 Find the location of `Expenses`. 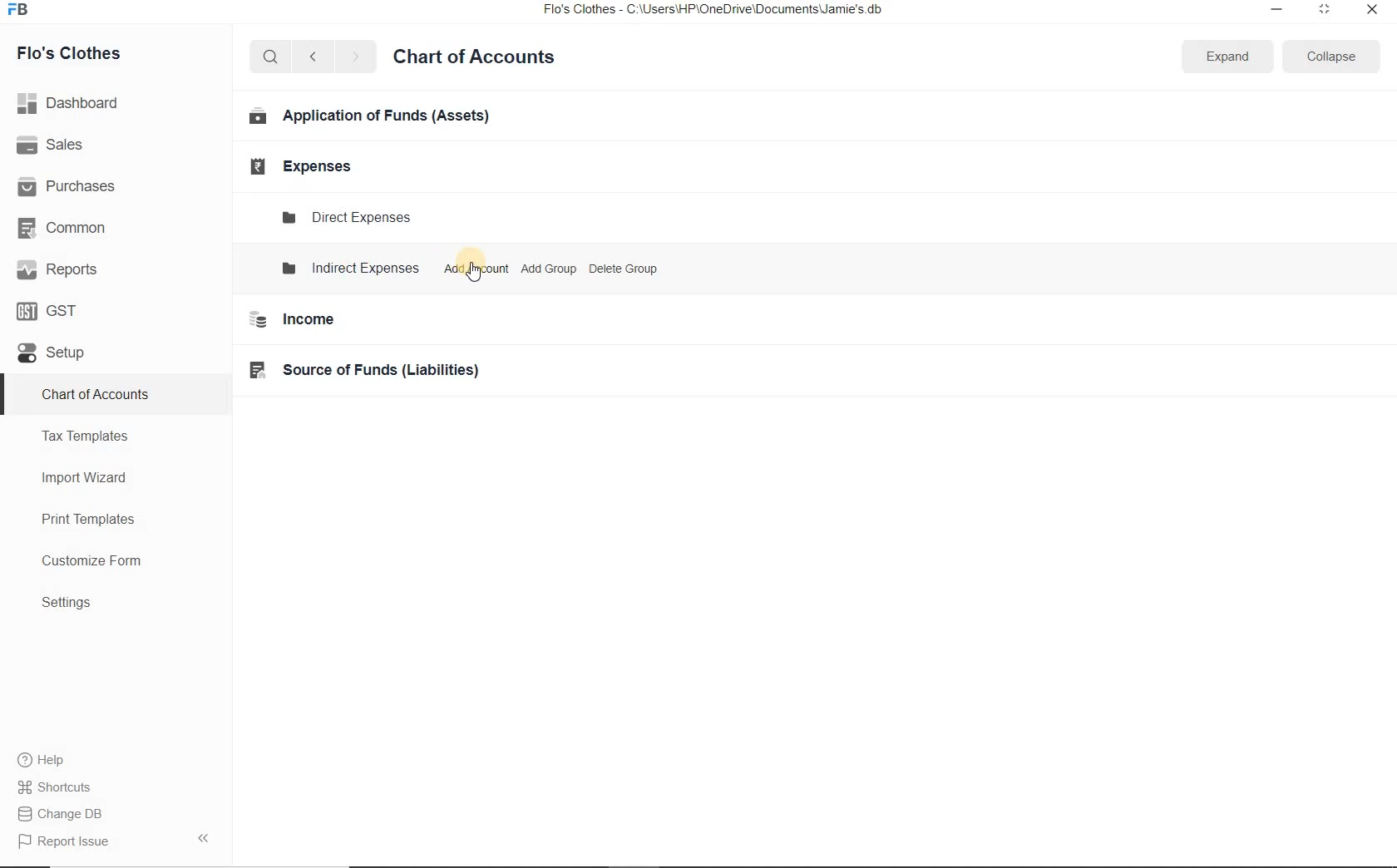

Expenses is located at coordinates (295, 166).